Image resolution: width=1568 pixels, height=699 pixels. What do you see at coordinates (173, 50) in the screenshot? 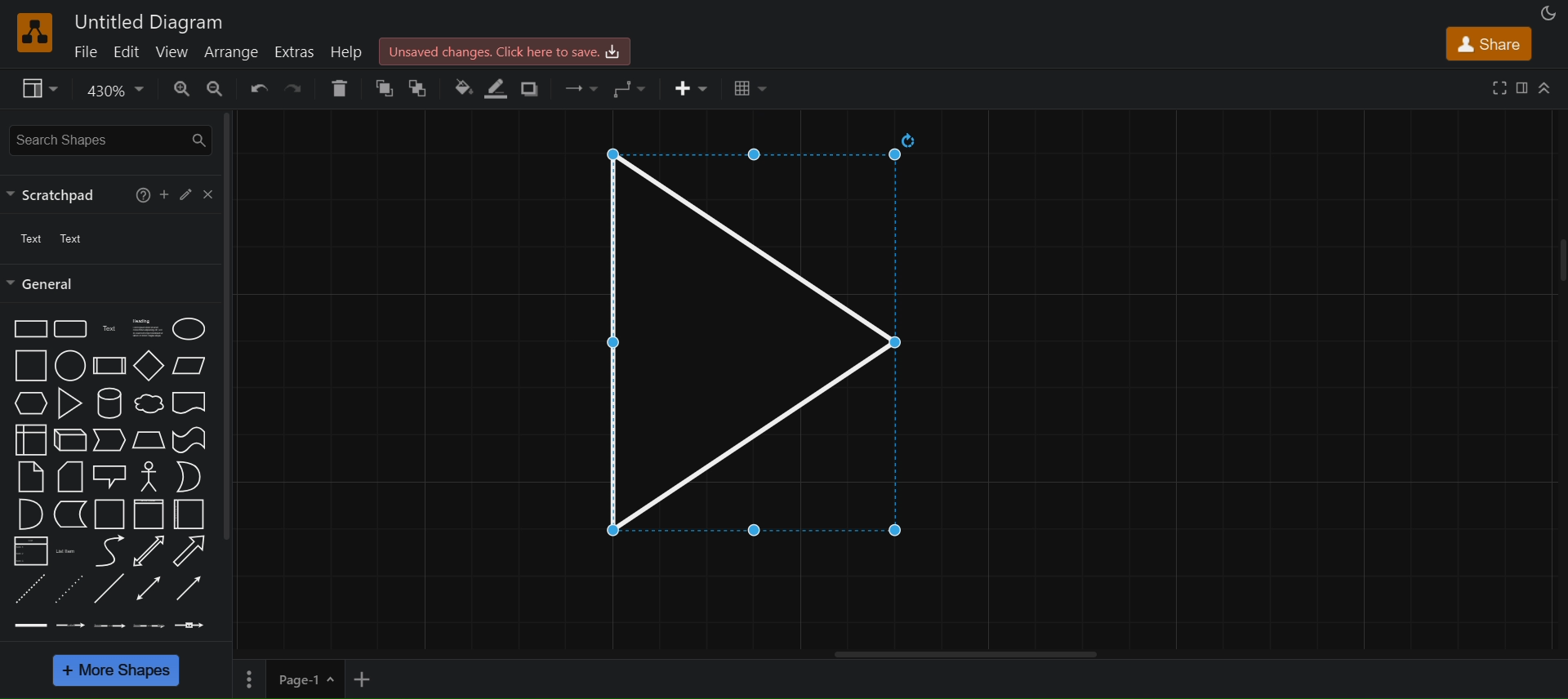
I see `view` at bounding box center [173, 50].